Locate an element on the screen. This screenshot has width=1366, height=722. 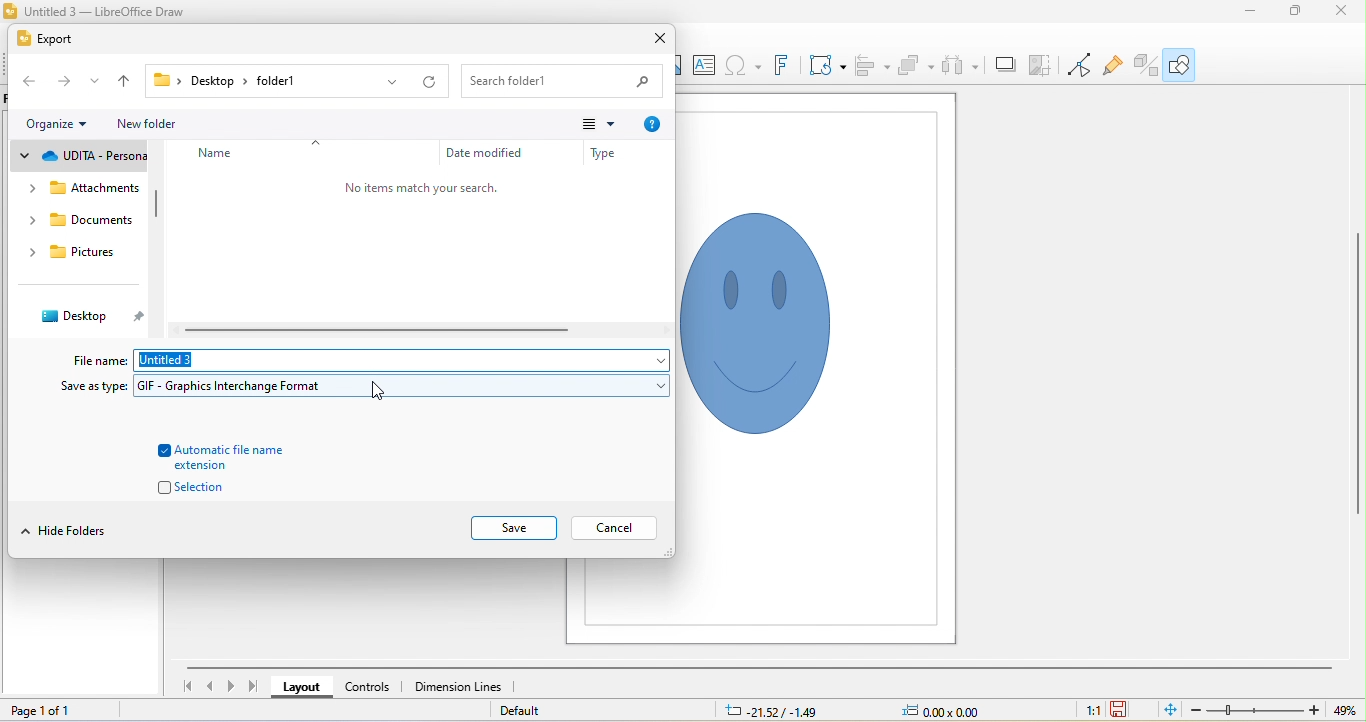
up to previous is located at coordinates (126, 80).